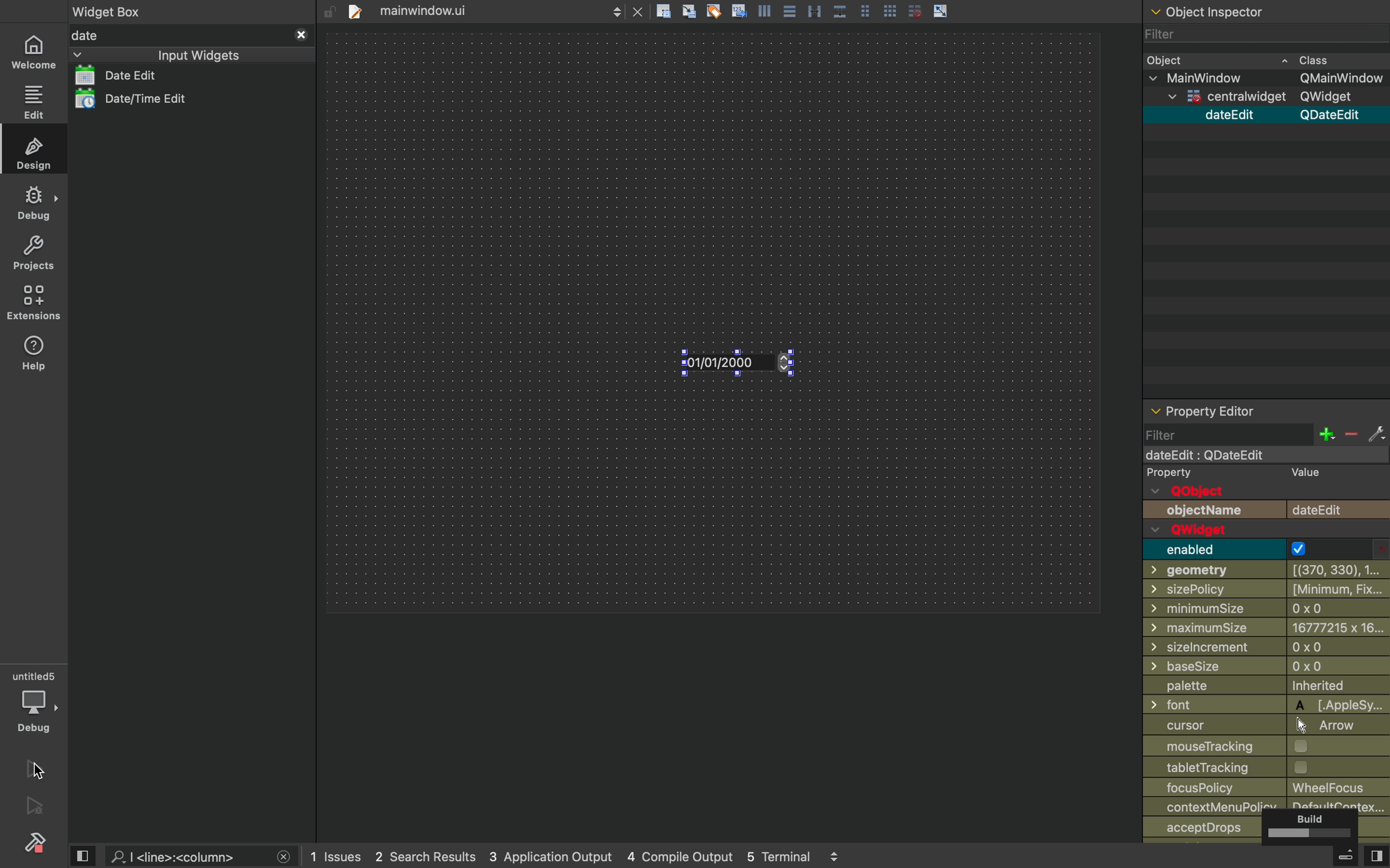 The height and width of the screenshot is (868, 1390). What do you see at coordinates (840, 10) in the screenshot?
I see `distribute vertically` at bounding box center [840, 10].